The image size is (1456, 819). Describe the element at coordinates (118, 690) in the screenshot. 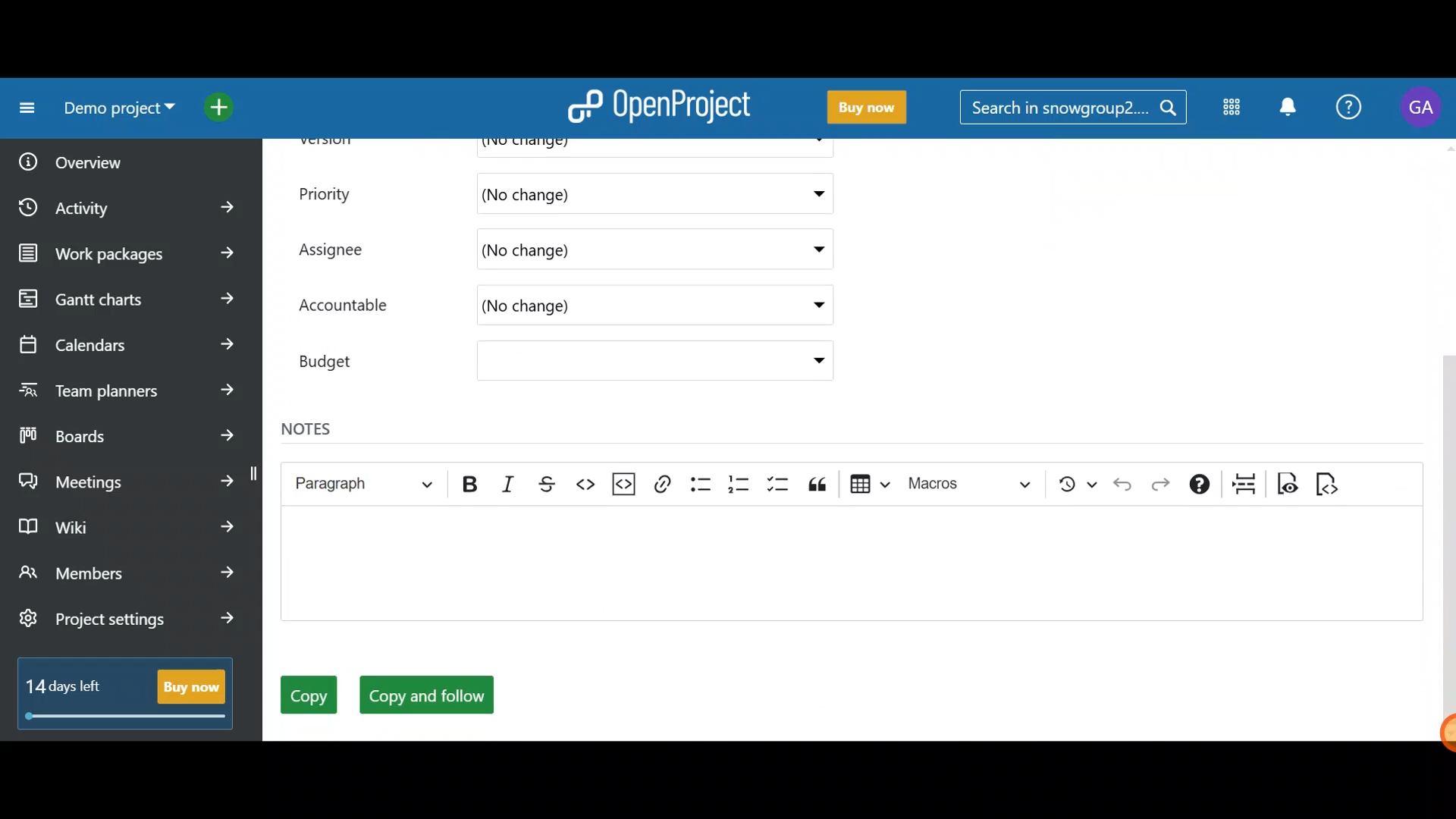

I see `14 days left - Buy now` at that location.